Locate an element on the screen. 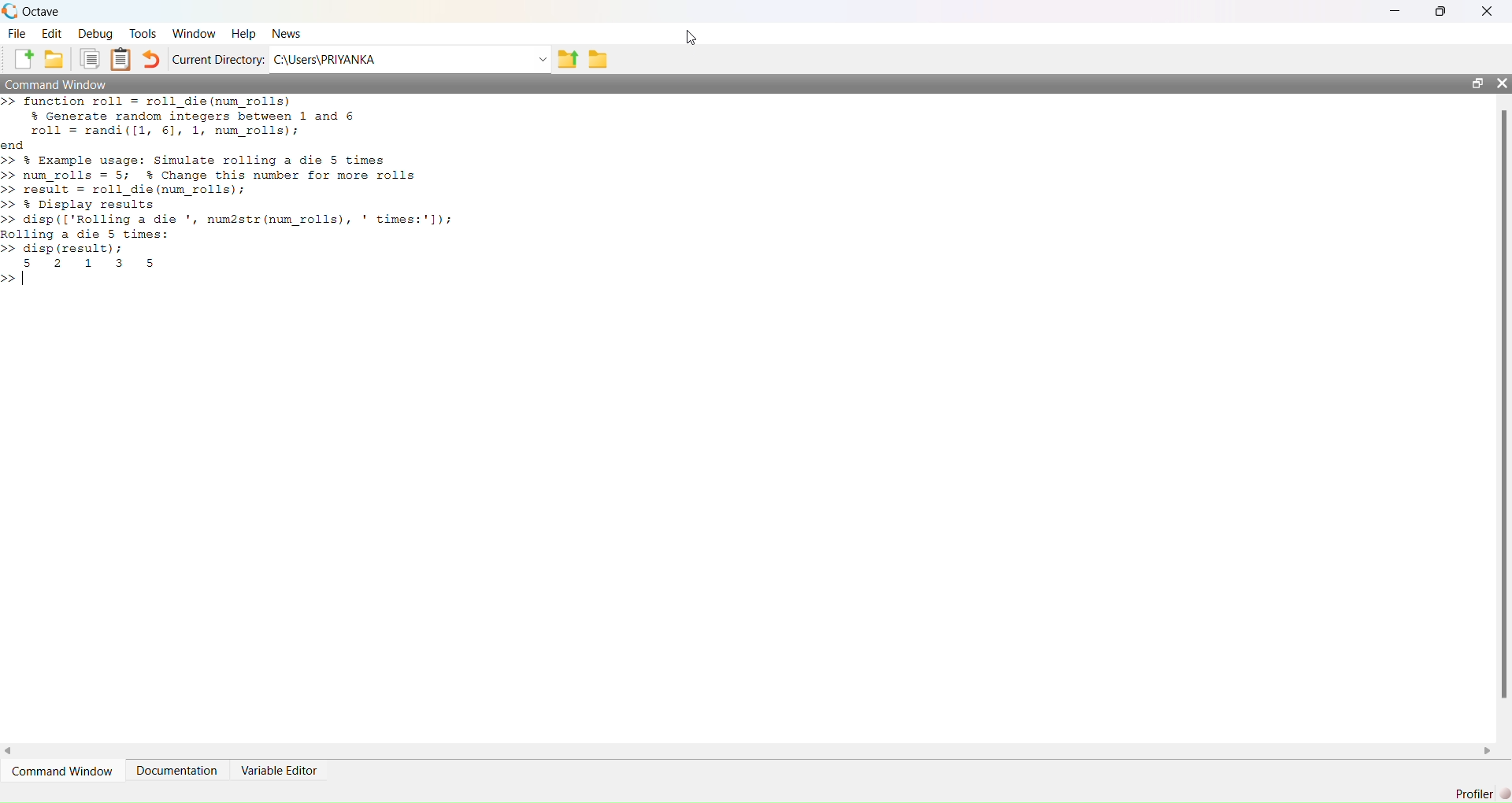 This screenshot has width=1512, height=803. debug is located at coordinates (97, 34).